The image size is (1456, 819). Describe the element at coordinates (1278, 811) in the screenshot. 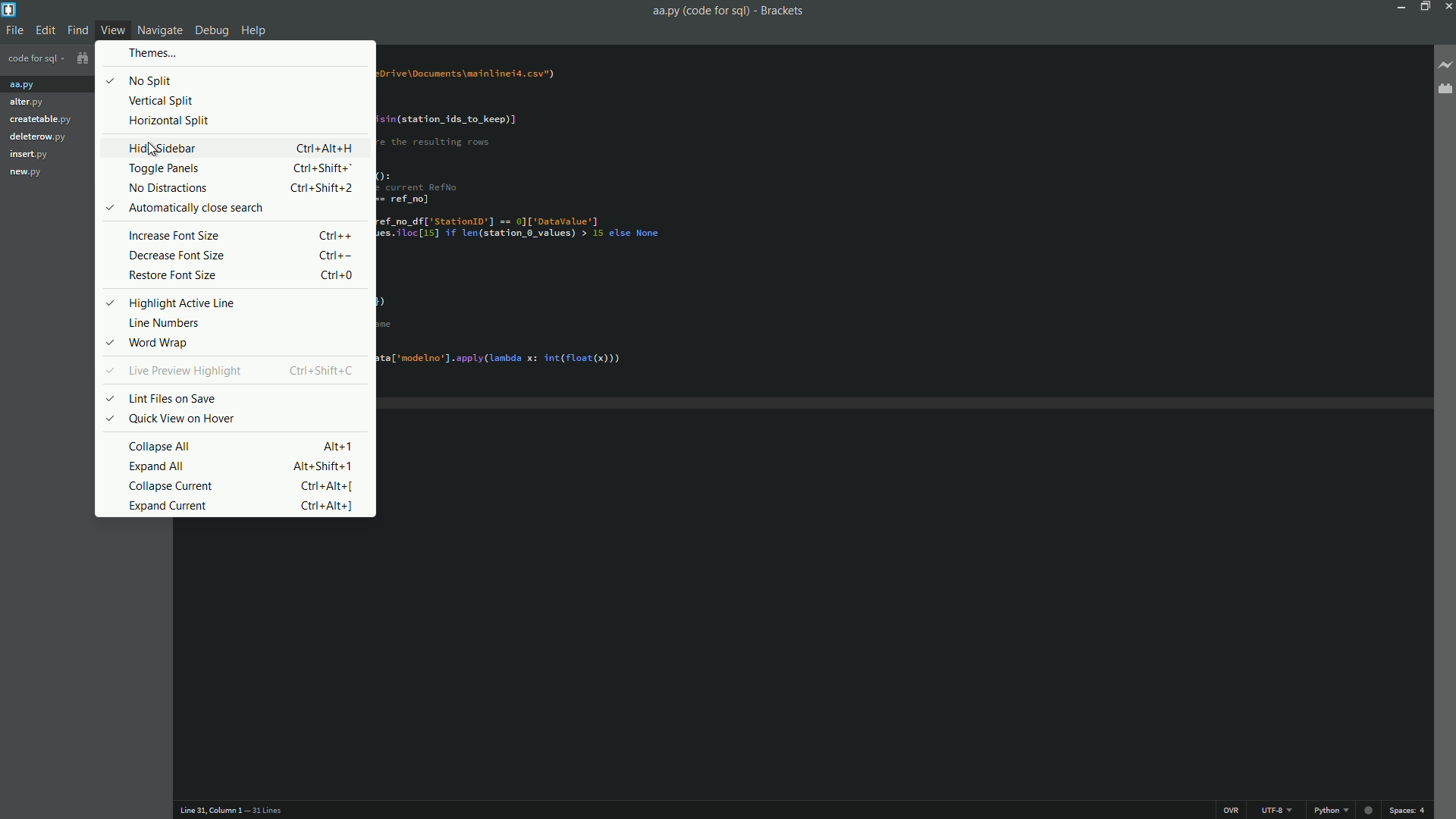

I see `file encoding button` at that location.